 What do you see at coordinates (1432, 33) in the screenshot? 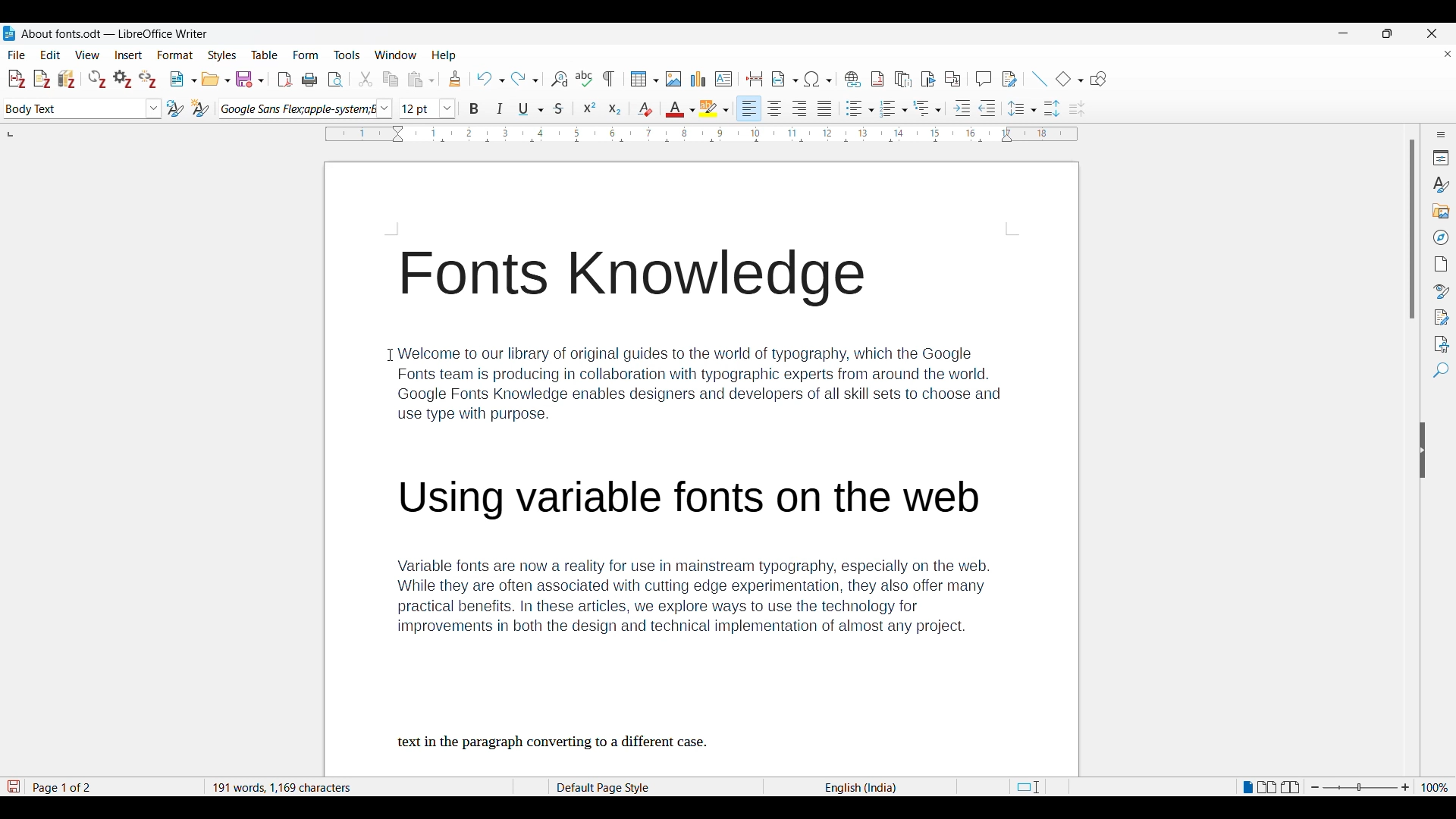
I see `Close interface` at bounding box center [1432, 33].